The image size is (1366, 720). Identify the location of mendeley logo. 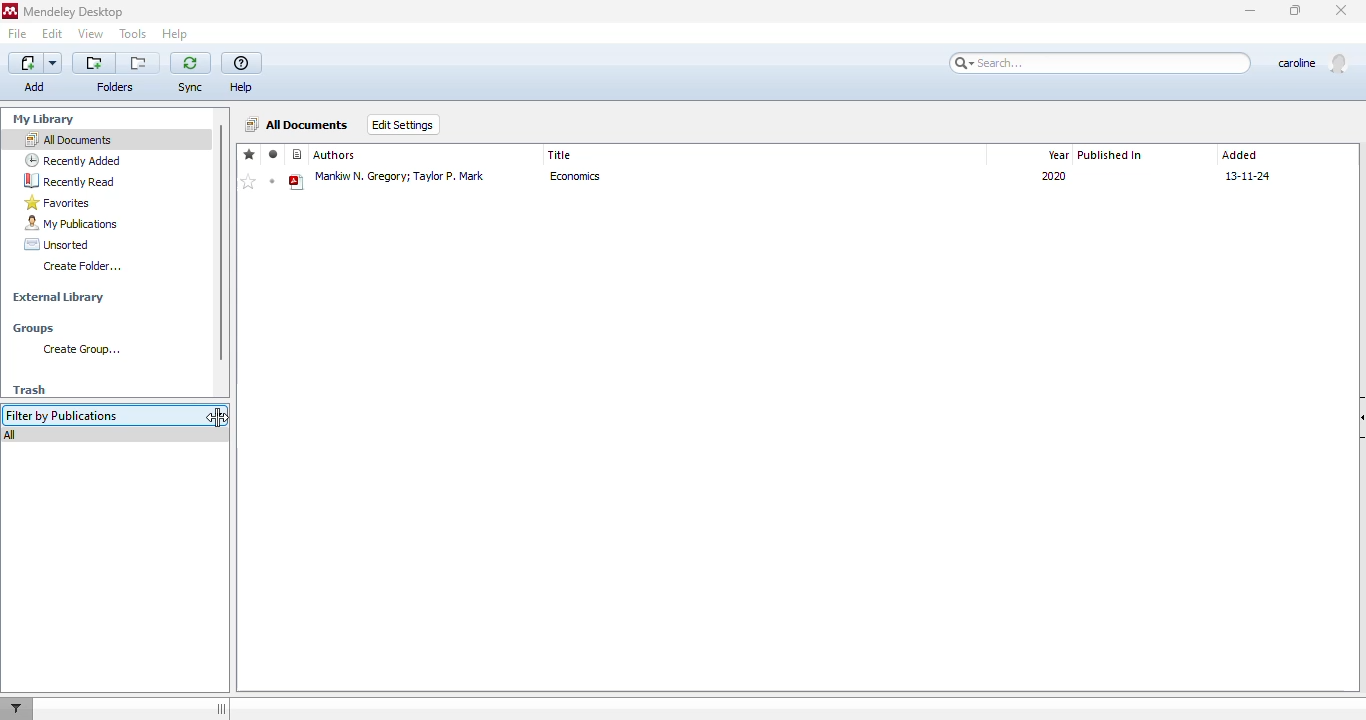
(10, 11).